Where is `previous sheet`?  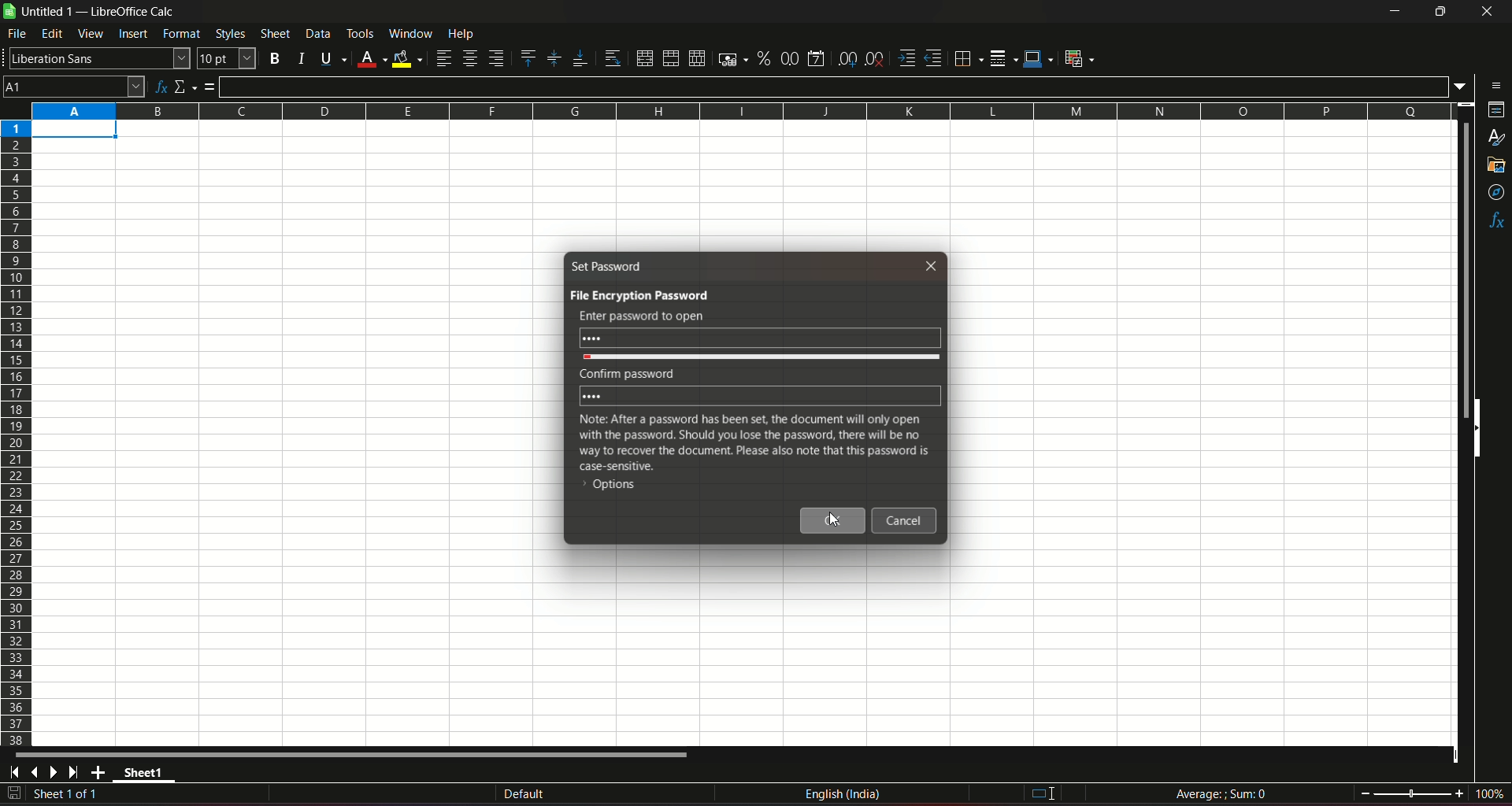 previous sheet is located at coordinates (36, 774).